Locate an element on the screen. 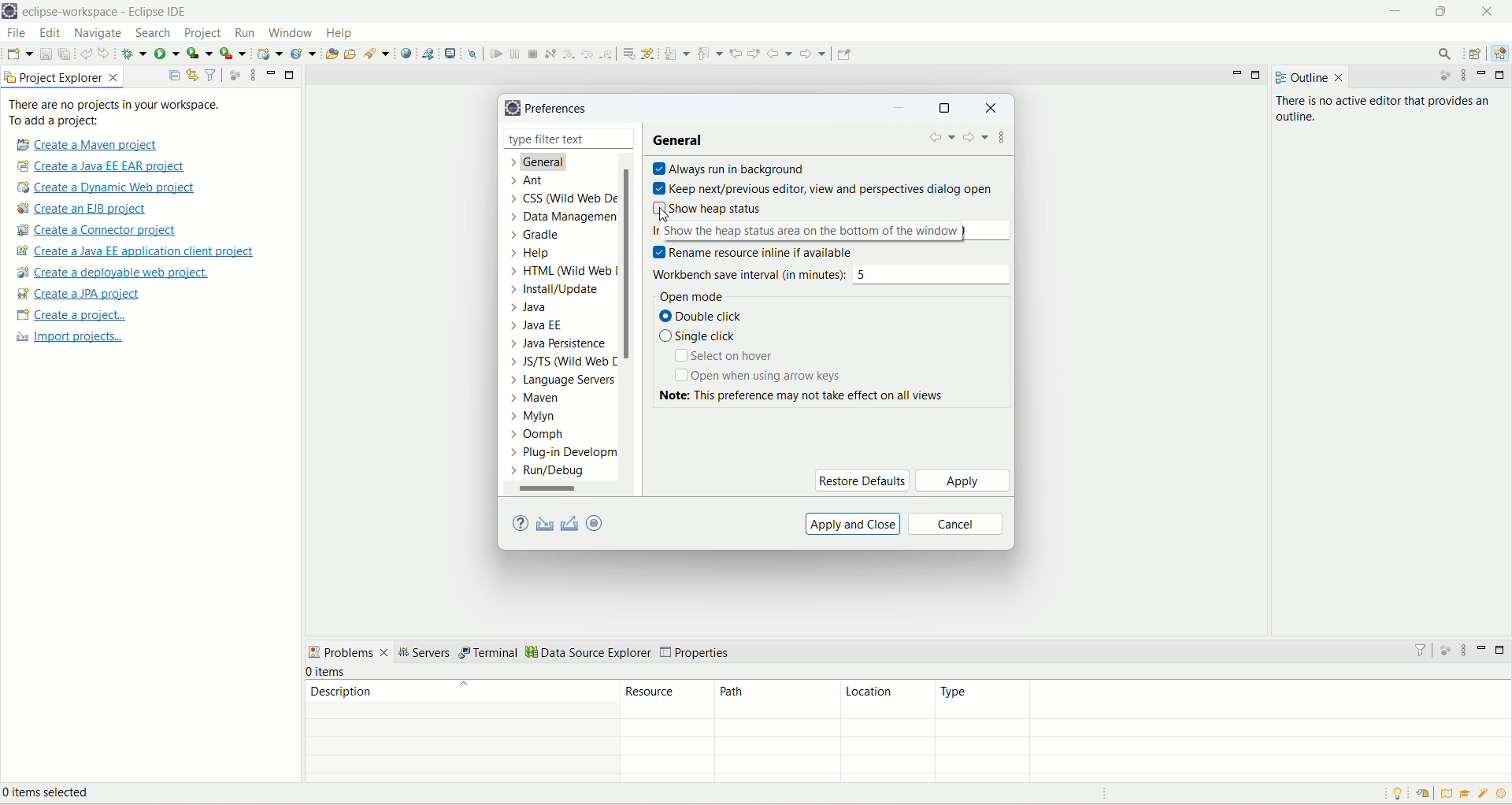 Image resolution: width=1512 pixels, height=805 pixels. save is located at coordinates (46, 53).